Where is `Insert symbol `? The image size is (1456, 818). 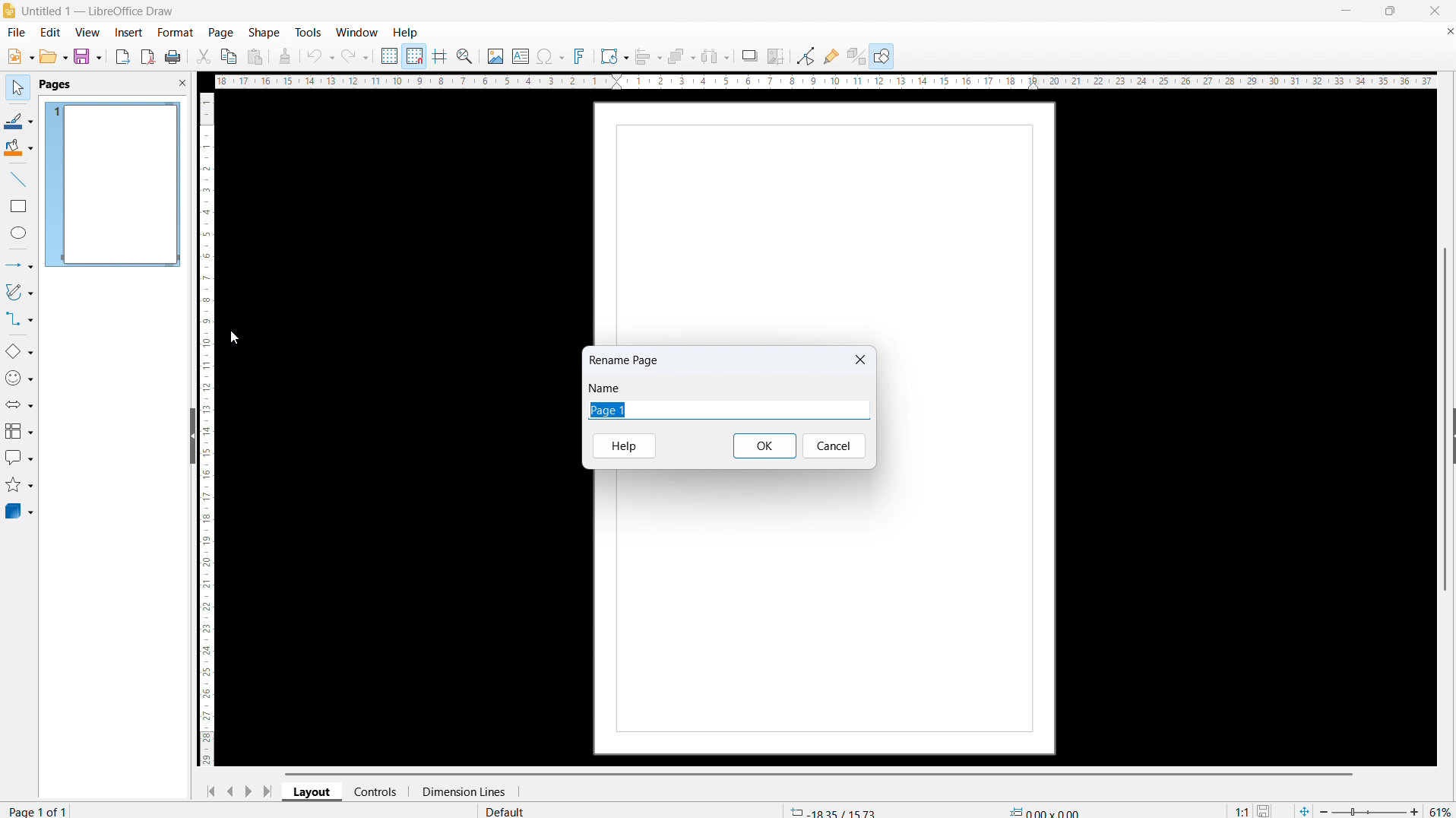
Insert symbol  is located at coordinates (552, 56).